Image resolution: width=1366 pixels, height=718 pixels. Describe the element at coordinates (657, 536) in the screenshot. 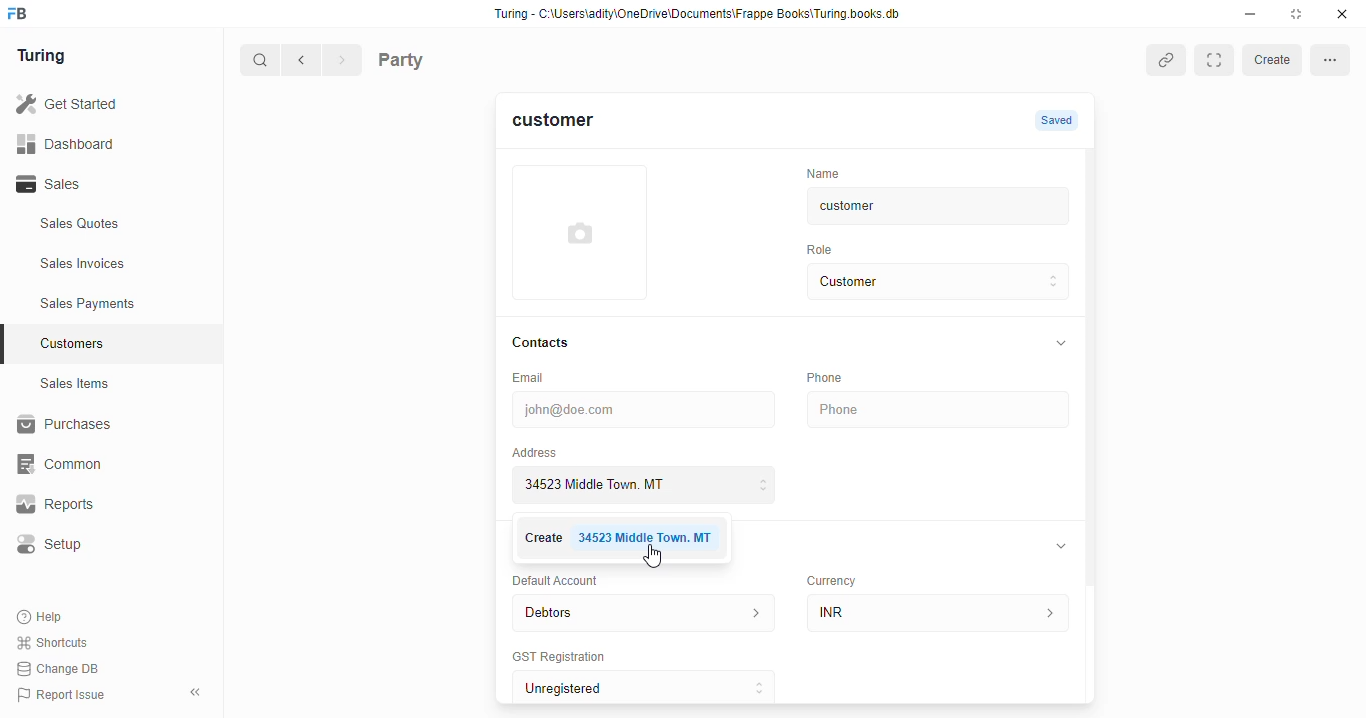

I see `34523 Middle Town. MT` at that location.